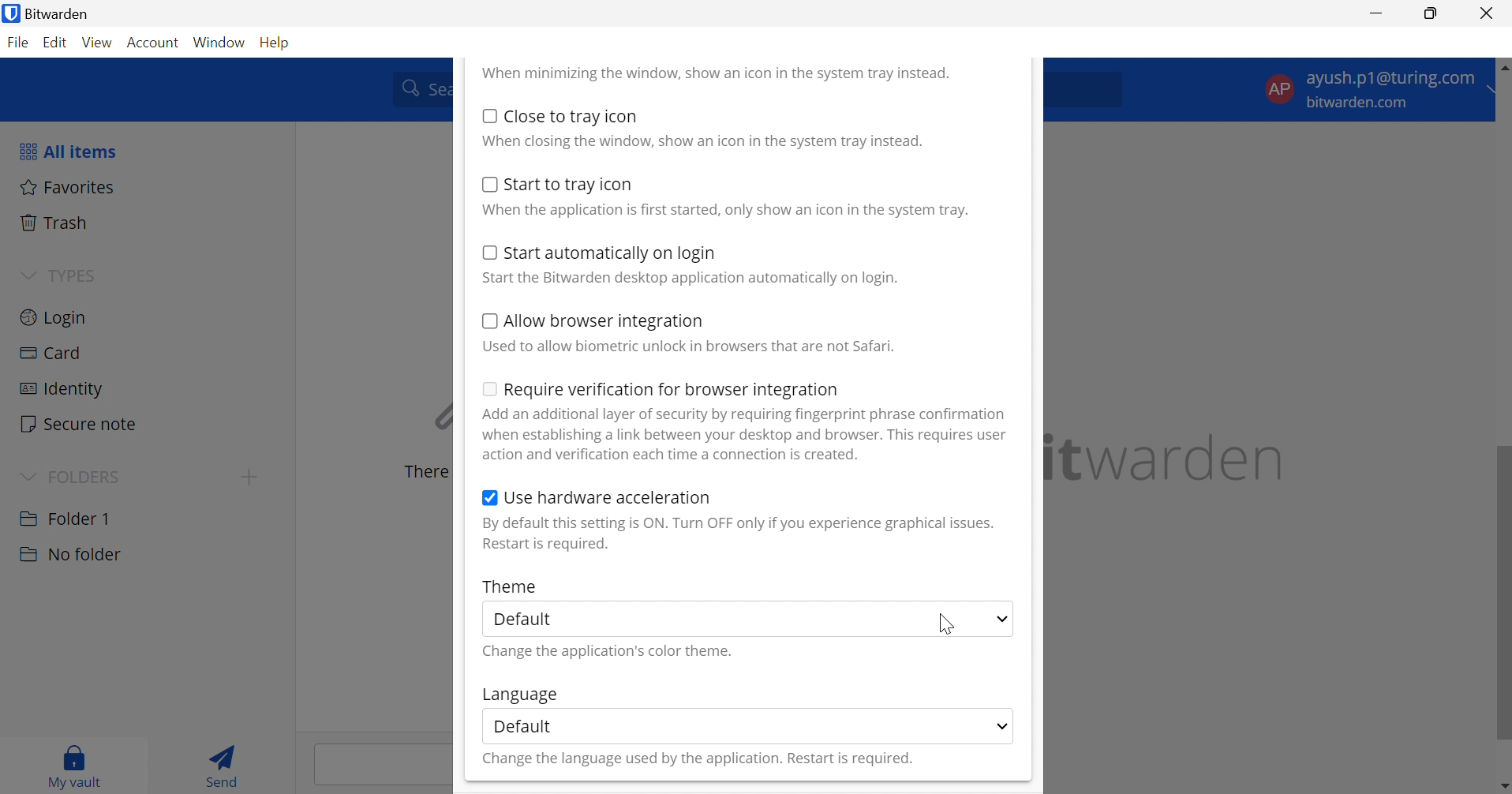  I want to click on Checkbox, so click(489, 500).